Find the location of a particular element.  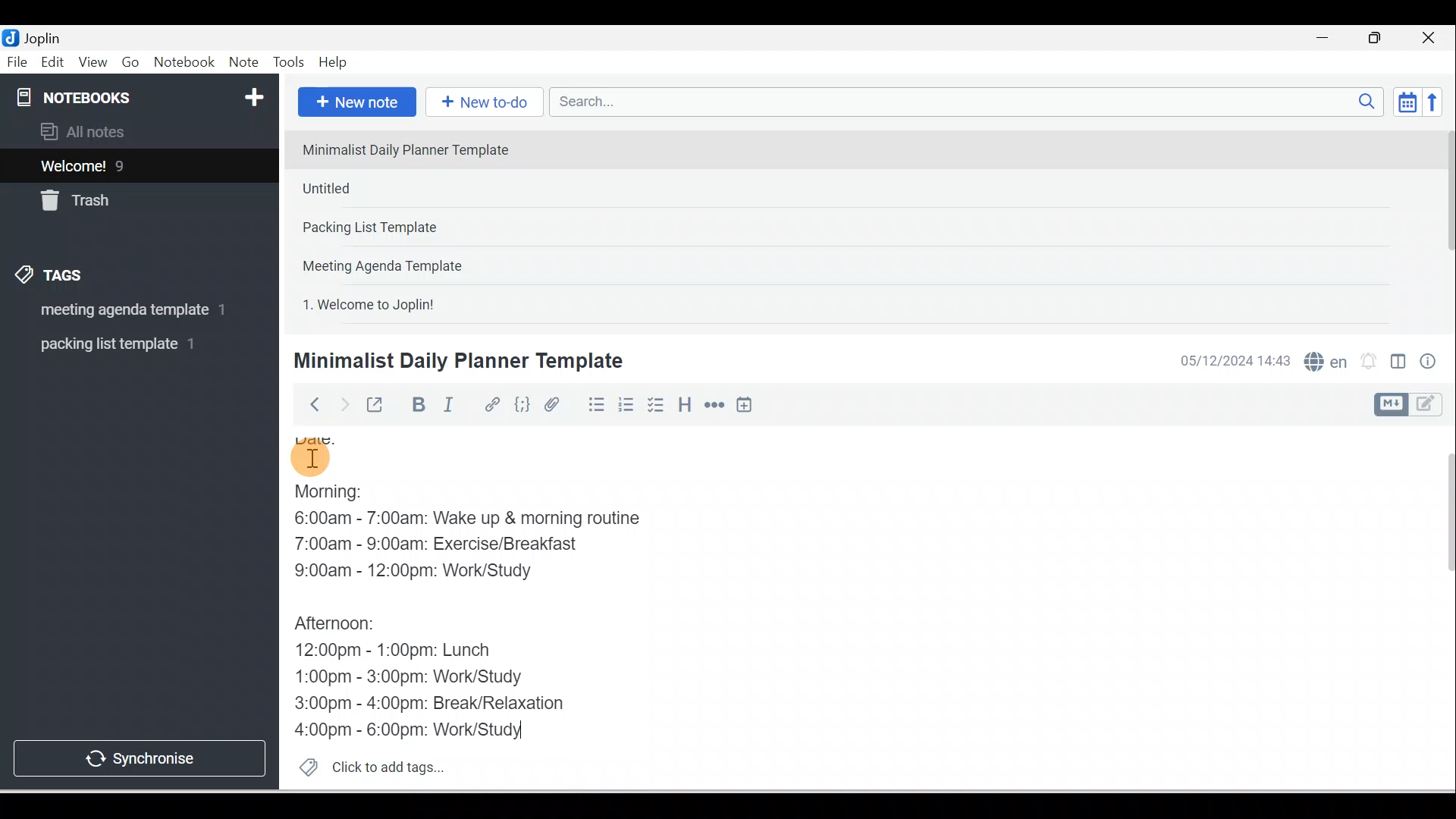

12:00pm - 1:00pm: Lunch is located at coordinates (413, 649).